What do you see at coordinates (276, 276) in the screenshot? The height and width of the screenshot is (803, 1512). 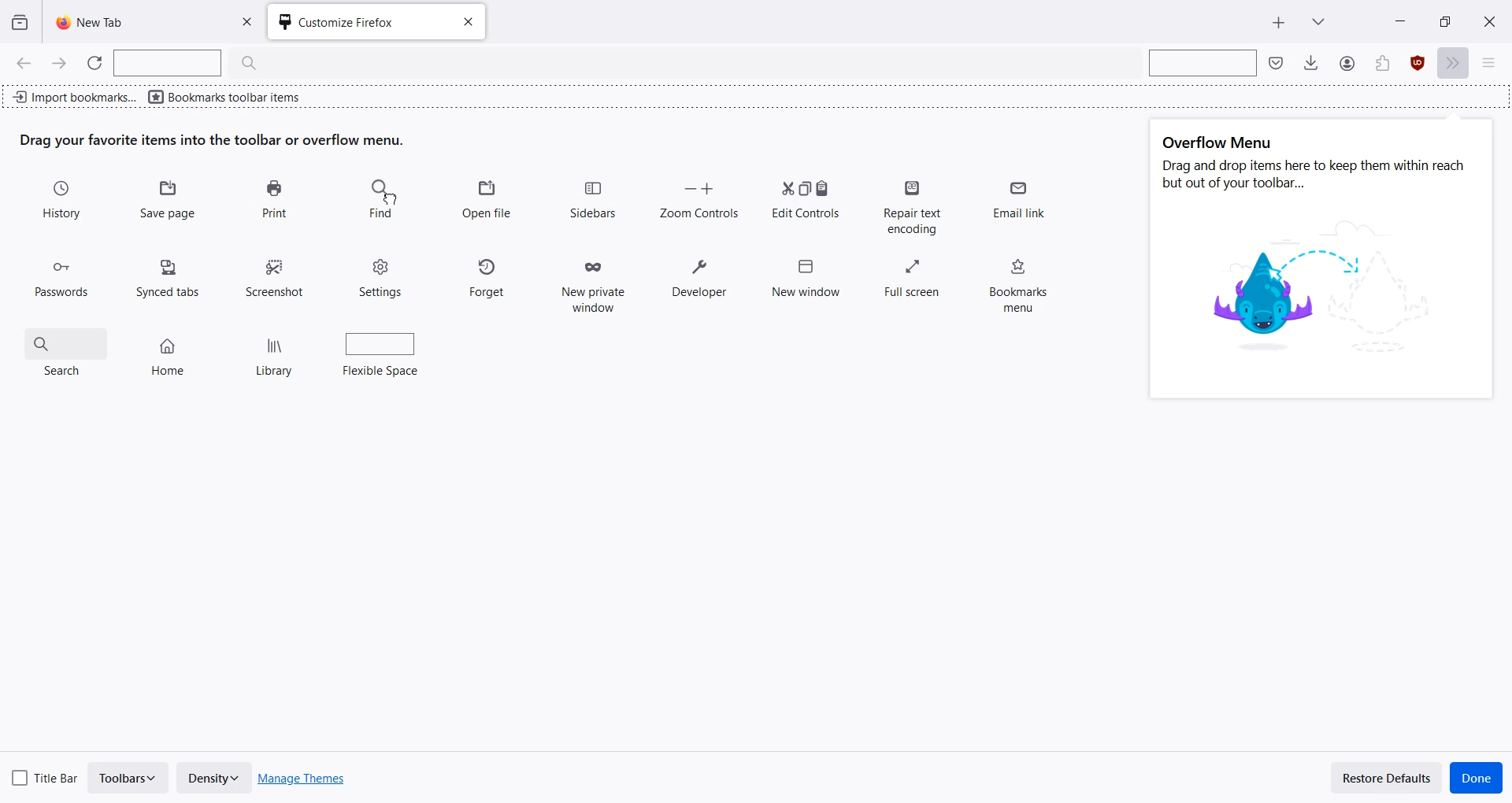 I see `Screenshot` at bounding box center [276, 276].